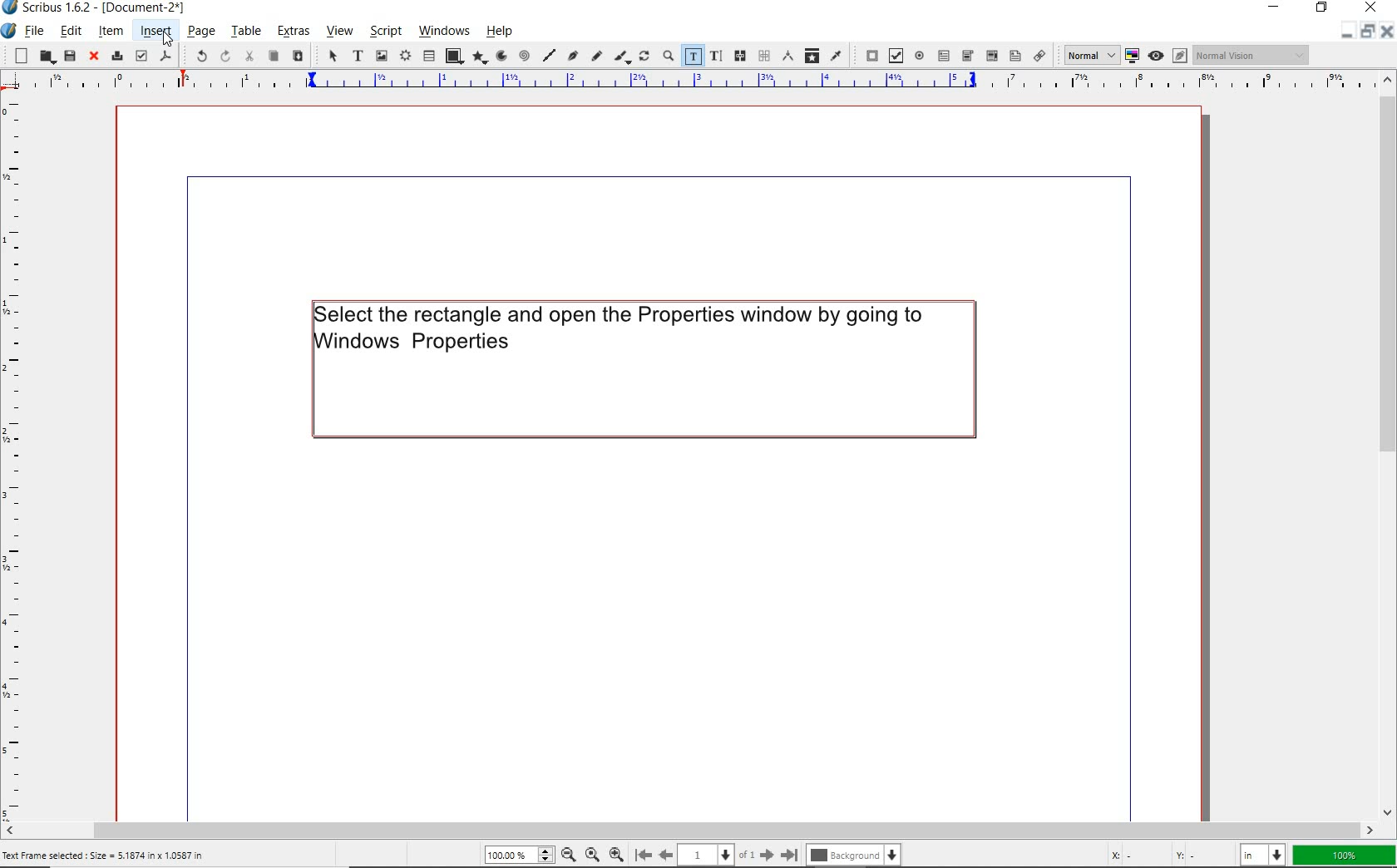  Describe the element at coordinates (126, 856) in the screenshot. I see `Text Frame selected : Size = 5.1874 in x 1.0587 in` at that location.